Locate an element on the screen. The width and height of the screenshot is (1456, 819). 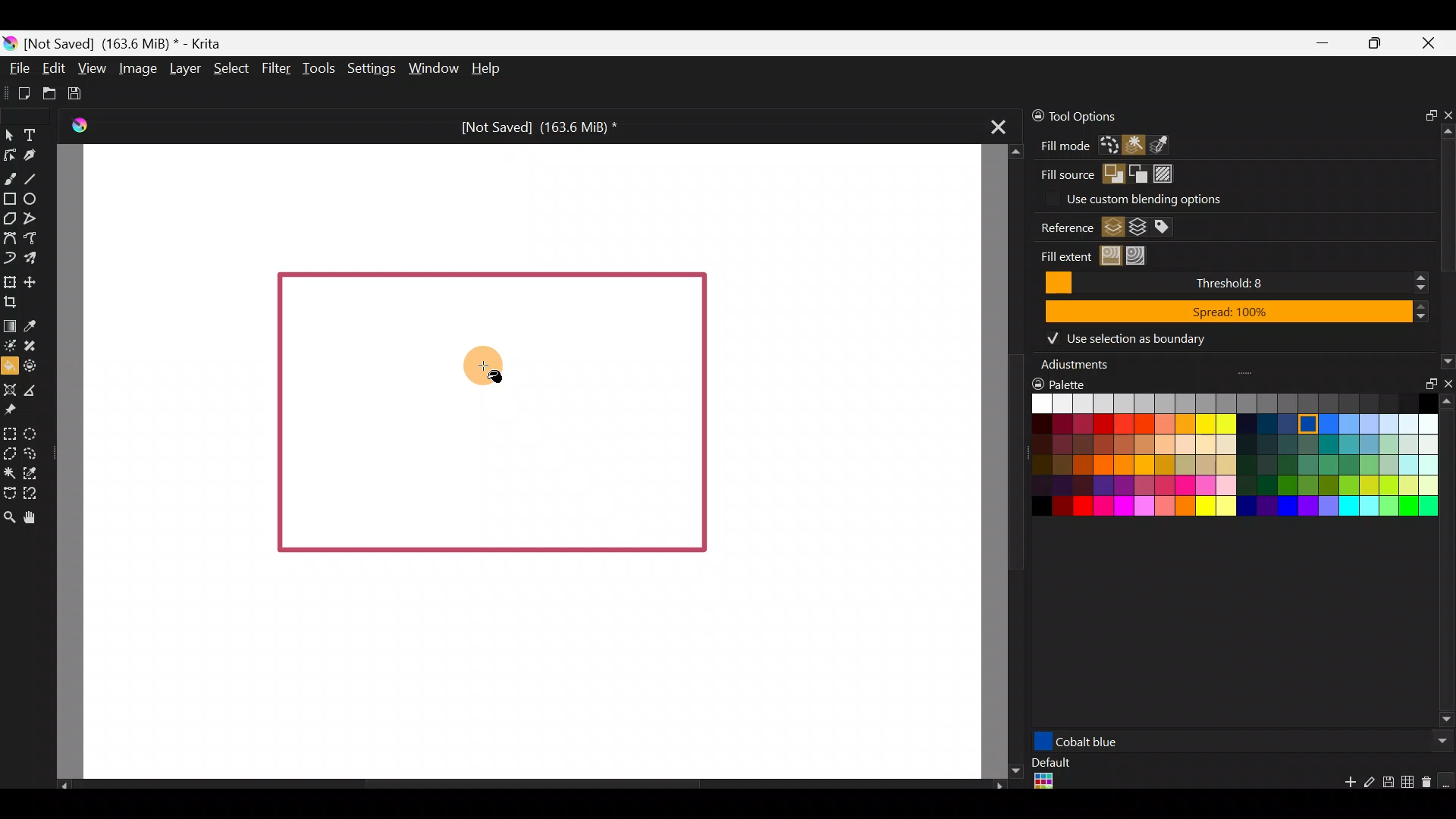
Default is located at coordinates (1050, 775).